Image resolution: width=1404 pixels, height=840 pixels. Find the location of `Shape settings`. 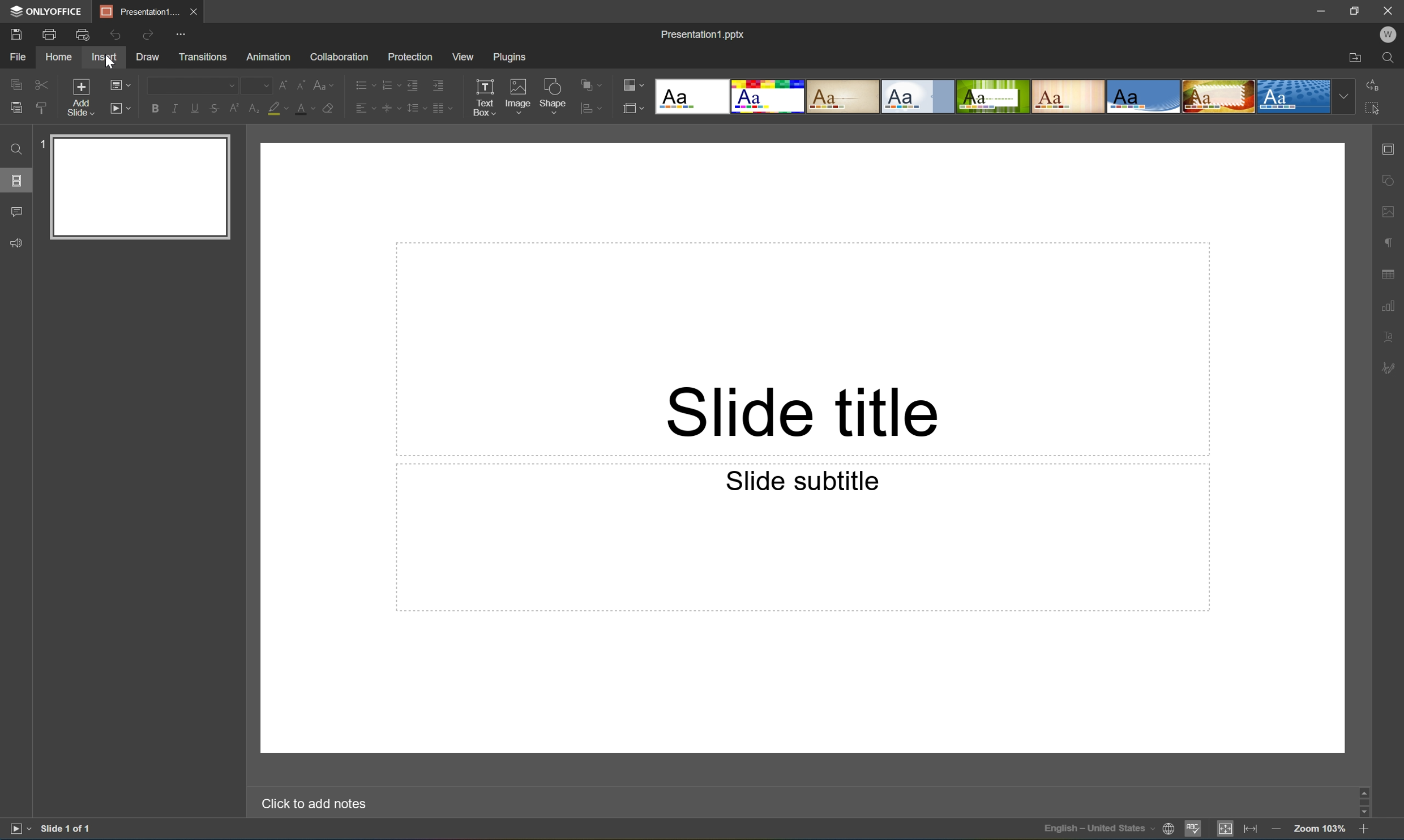

Shape settings is located at coordinates (1393, 179).